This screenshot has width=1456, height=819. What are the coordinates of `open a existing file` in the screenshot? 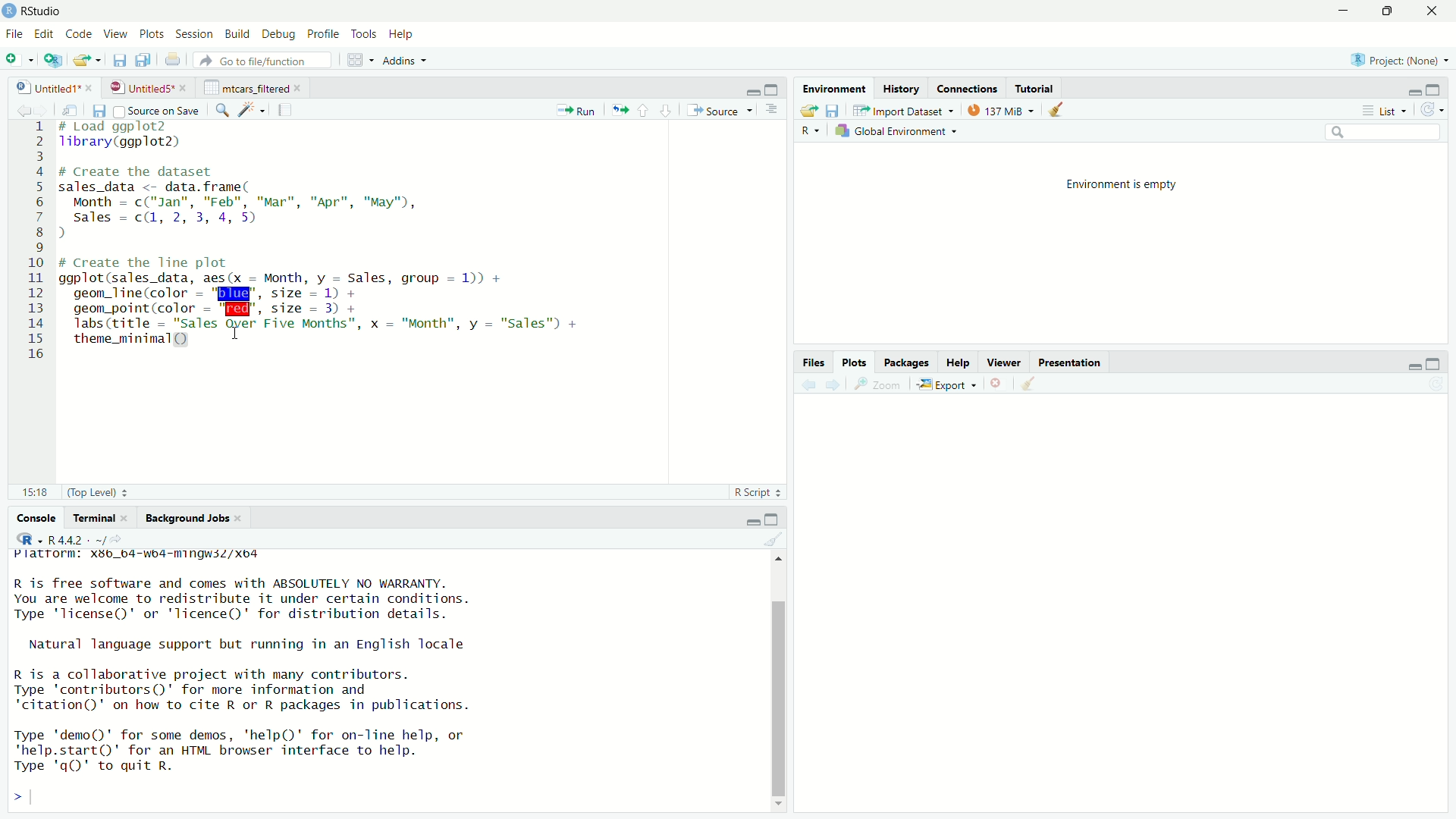 It's located at (84, 61).